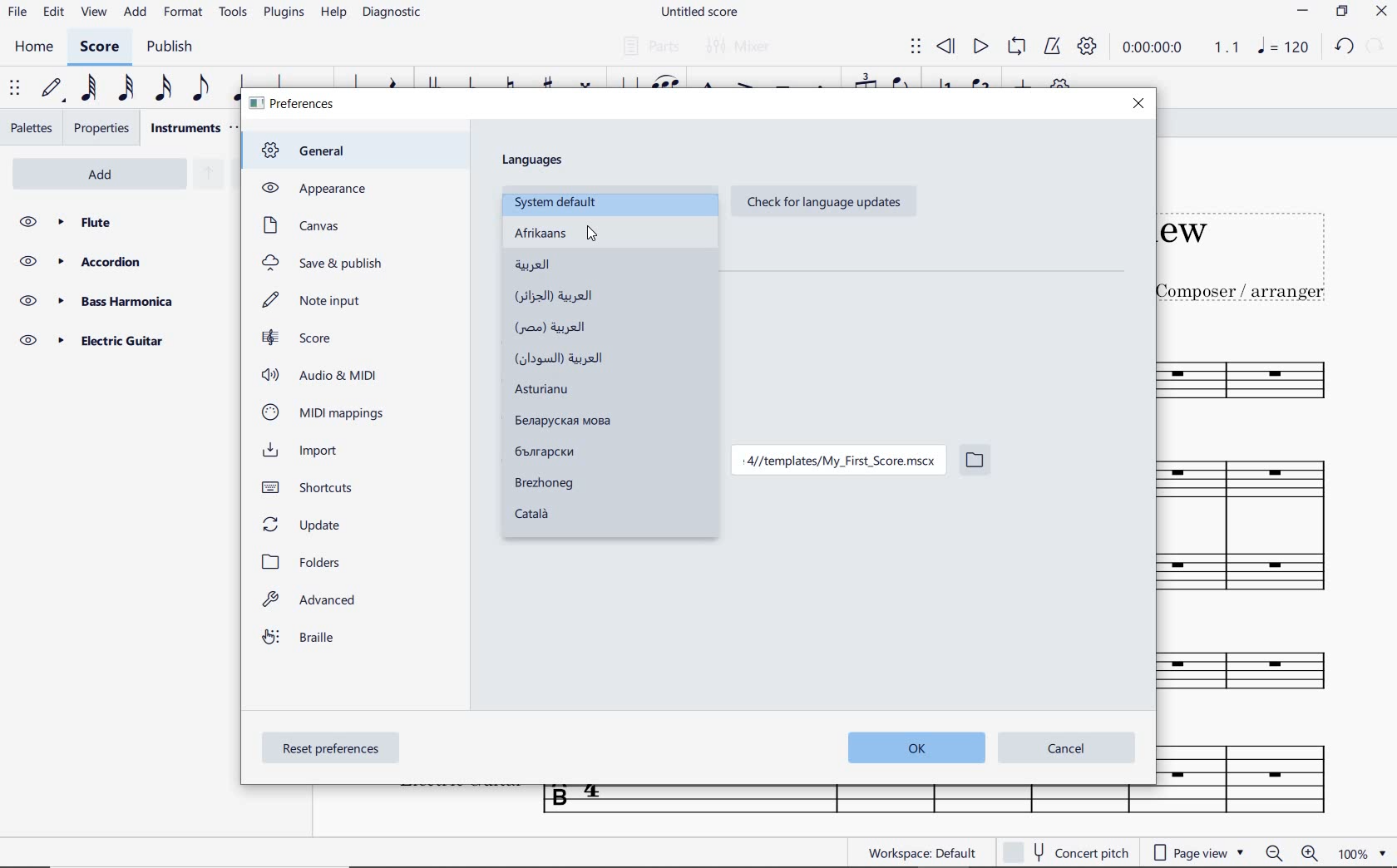 The width and height of the screenshot is (1397, 868). What do you see at coordinates (34, 47) in the screenshot?
I see `home` at bounding box center [34, 47].